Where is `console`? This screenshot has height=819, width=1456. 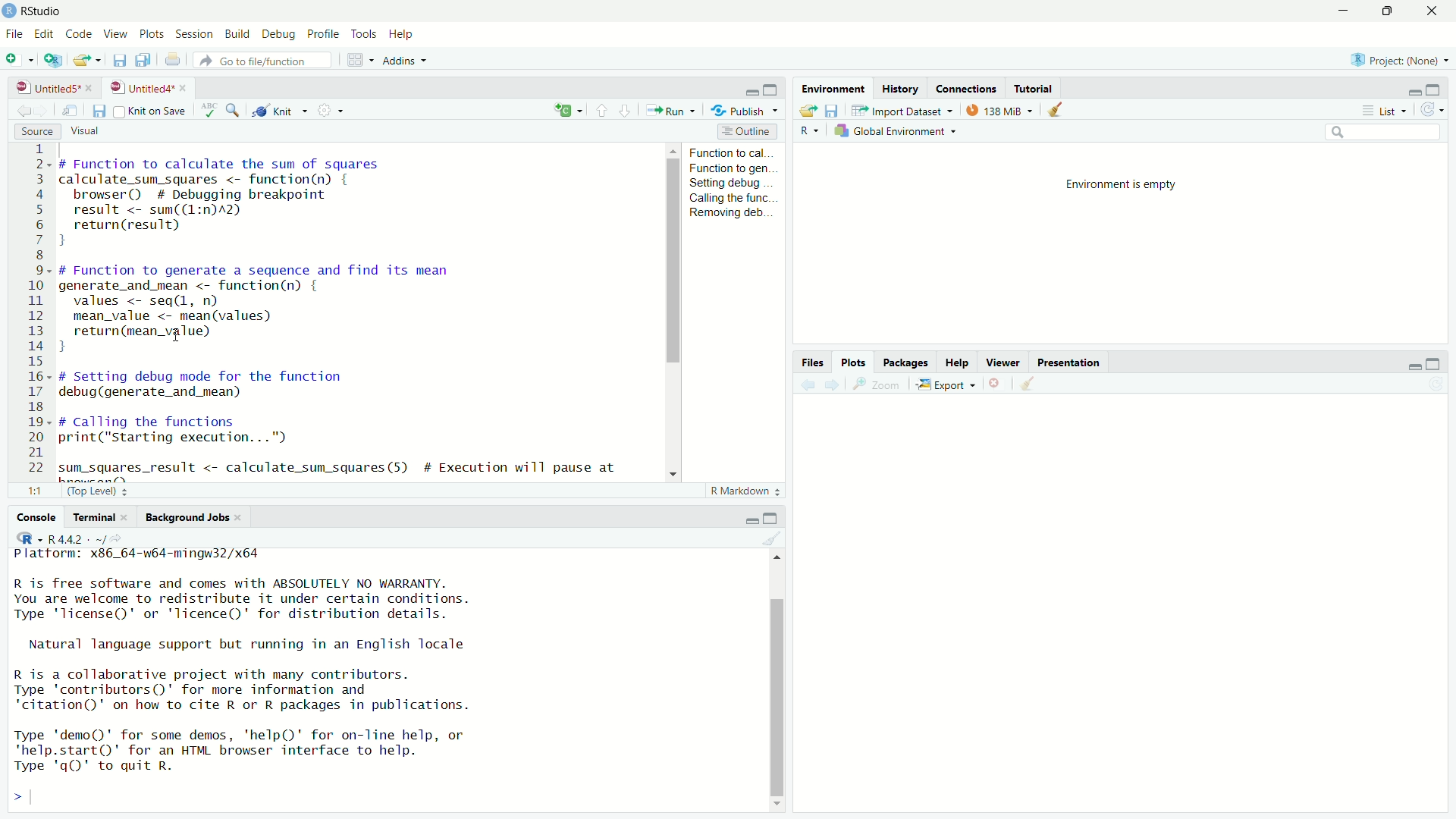
console is located at coordinates (32, 517).